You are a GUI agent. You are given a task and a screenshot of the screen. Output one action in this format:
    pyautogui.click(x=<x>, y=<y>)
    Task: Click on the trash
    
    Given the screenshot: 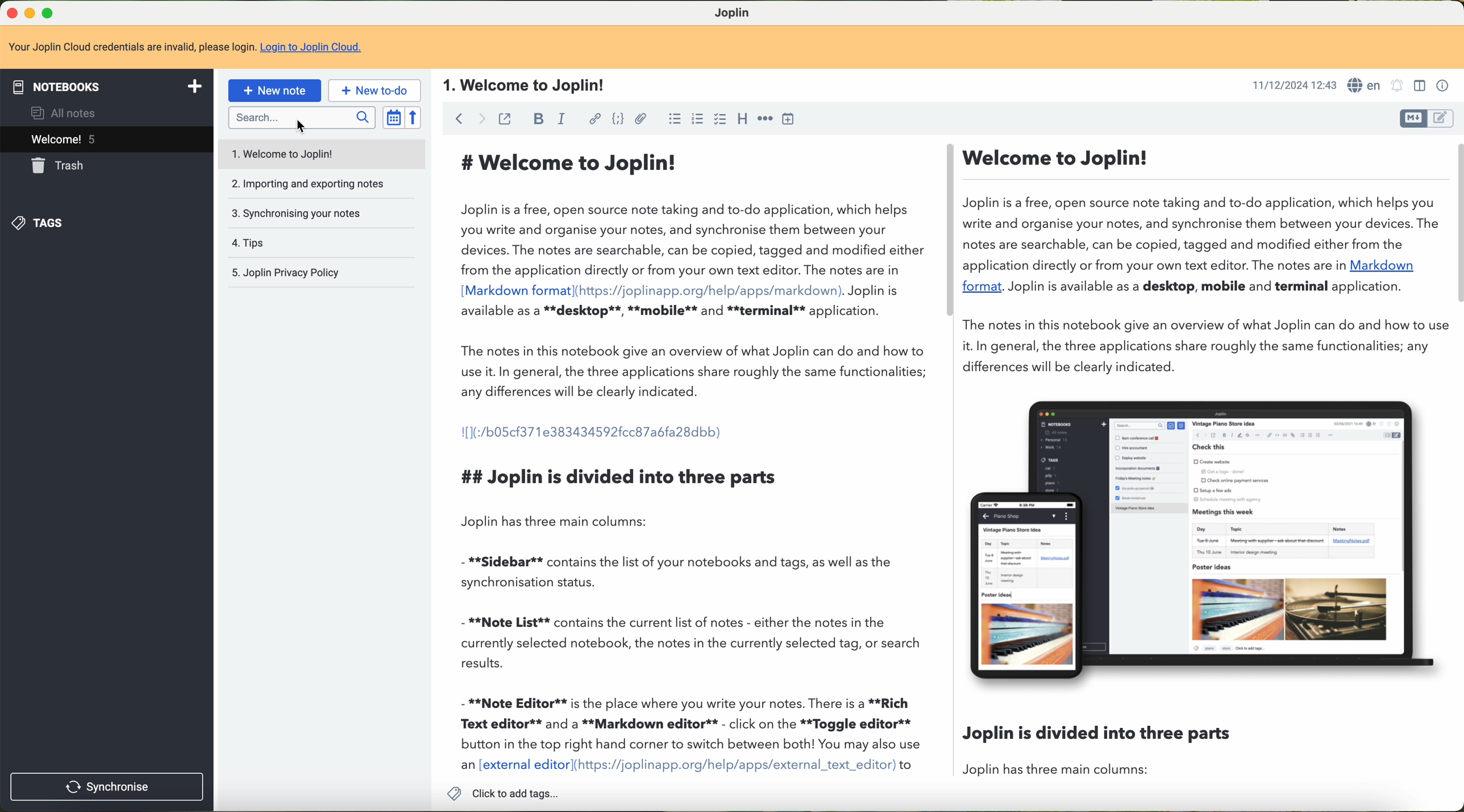 What is the action you would take?
    pyautogui.click(x=59, y=165)
    